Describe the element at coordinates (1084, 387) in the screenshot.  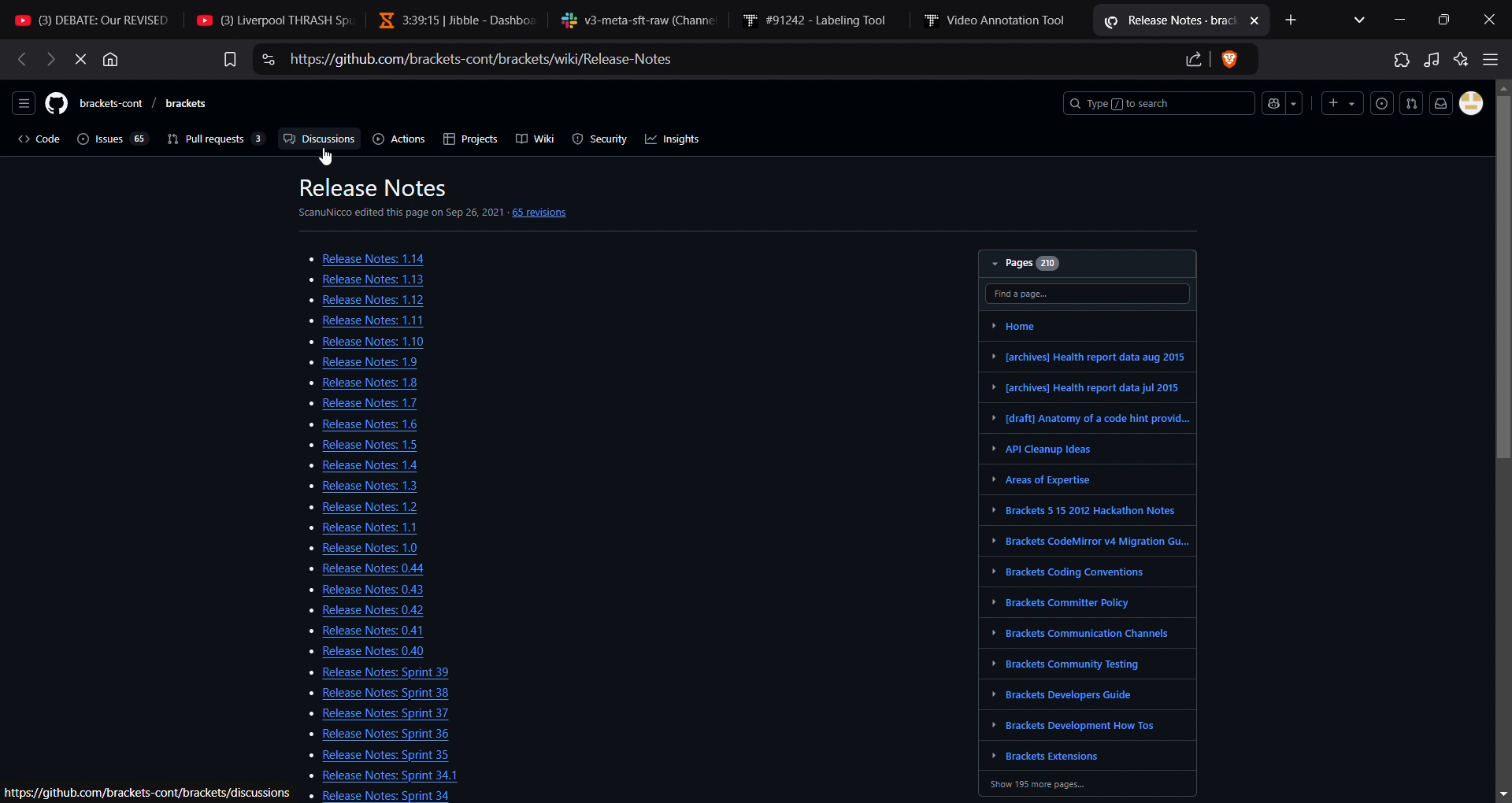
I see `» [archives] Health report data jul 2015` at that location.